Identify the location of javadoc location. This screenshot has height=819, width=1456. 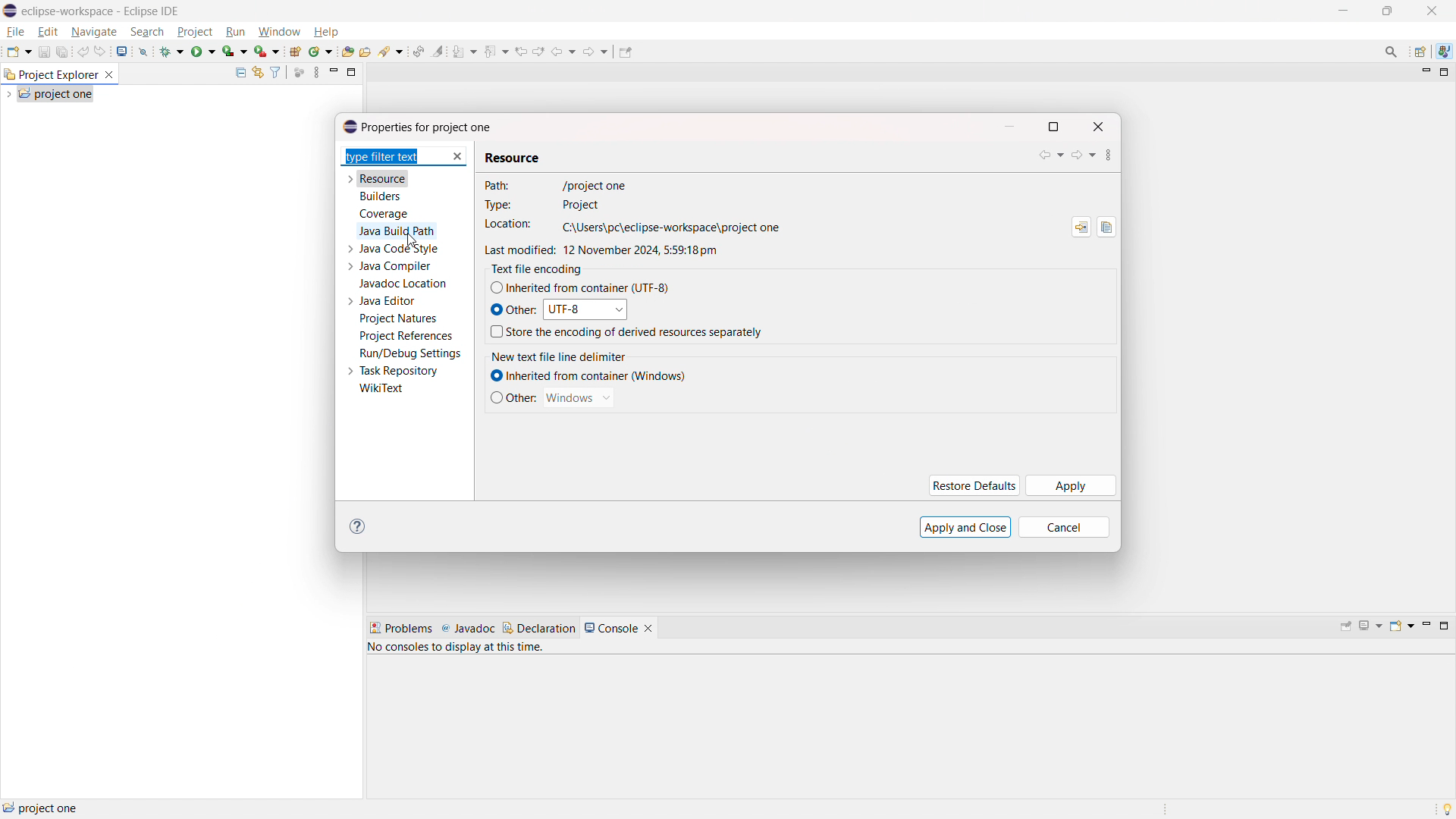
(404, 284).